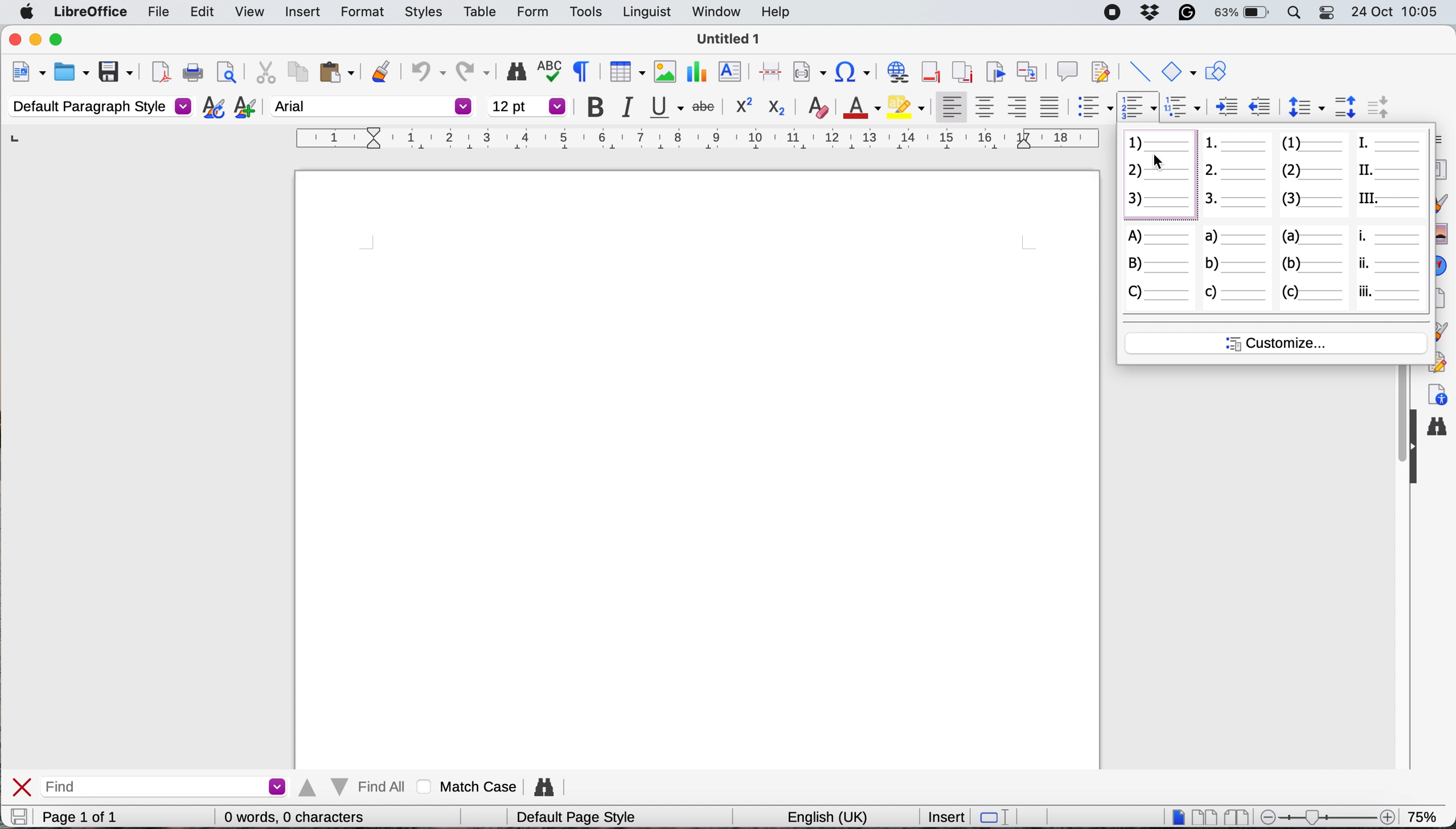 The width and height of the screenshot is (1456, 829). I want to click on standard selection, so click(994, 818).